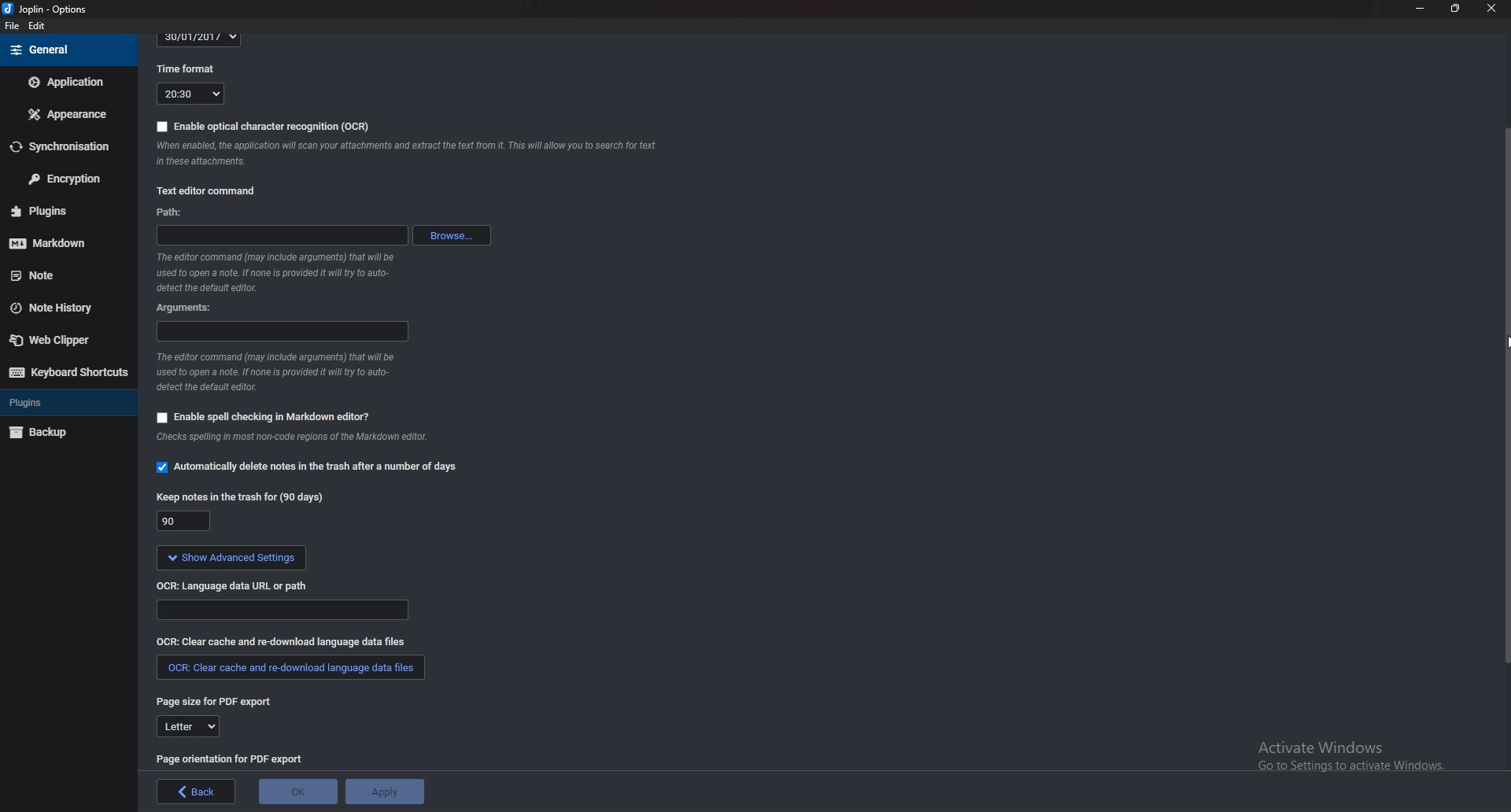  I want to click on joplin, so click(48, 9).